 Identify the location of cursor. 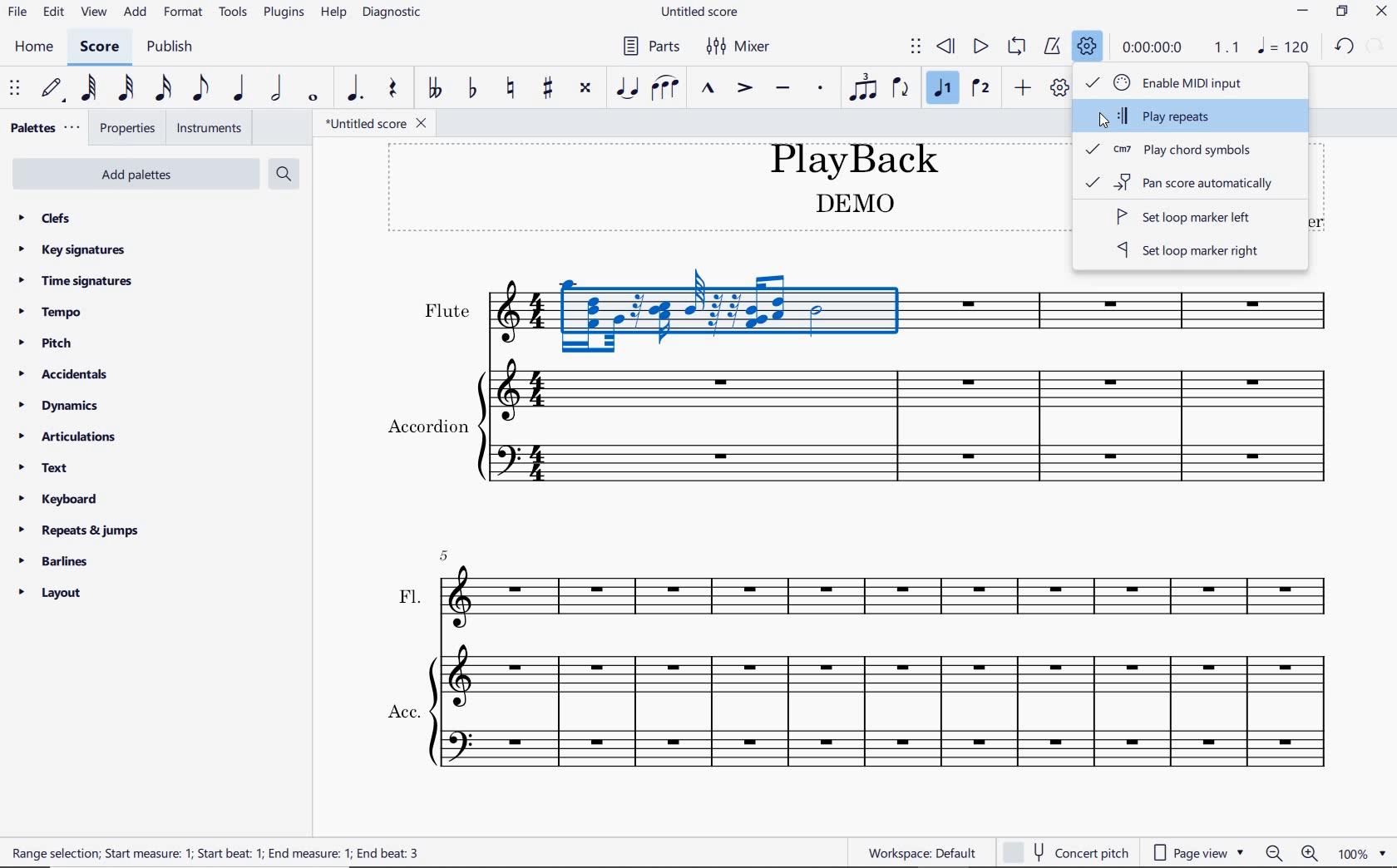
(1102, 120).